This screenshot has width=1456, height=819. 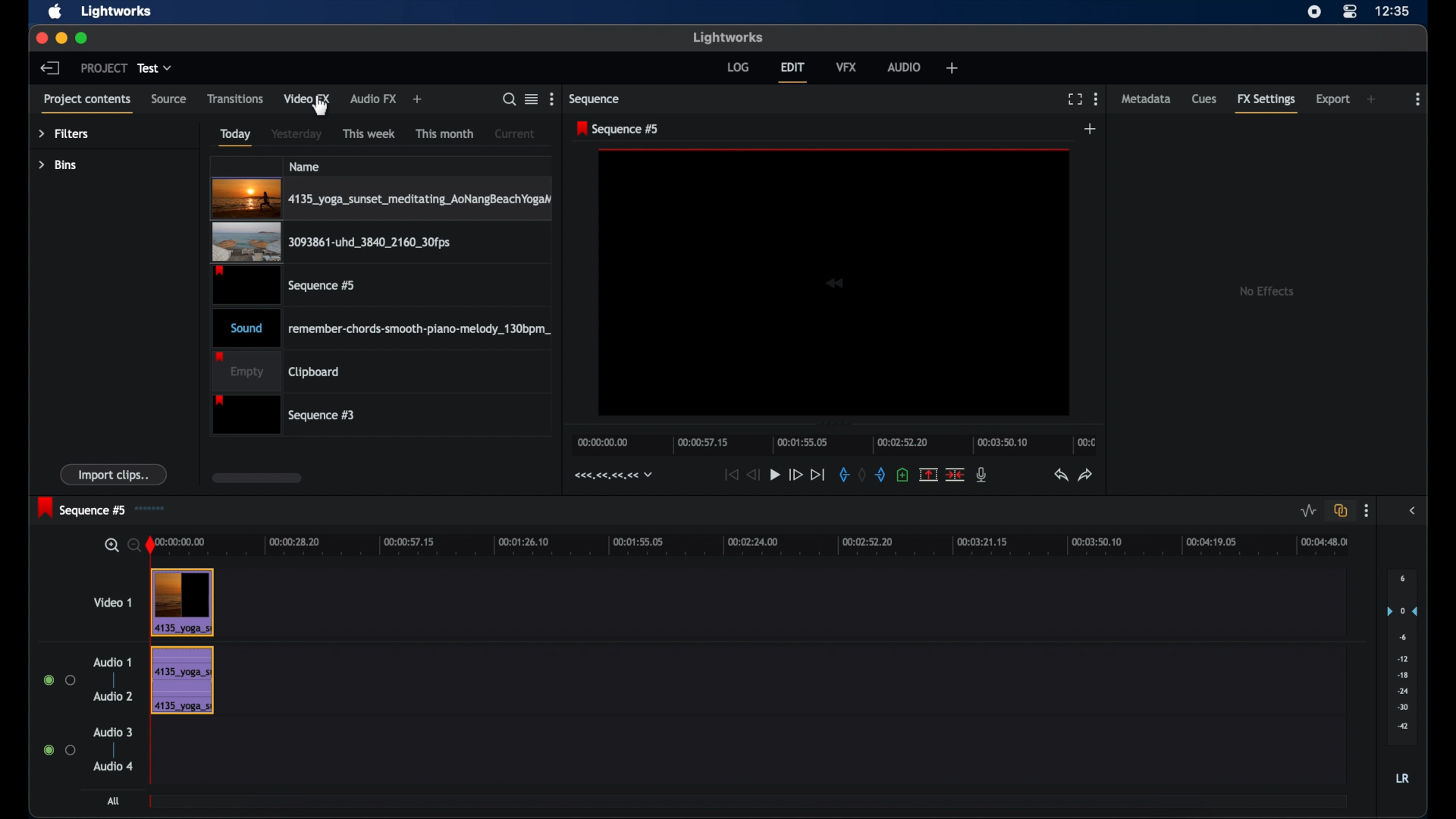 I want to click on cues, so click(x=1205, y=99).